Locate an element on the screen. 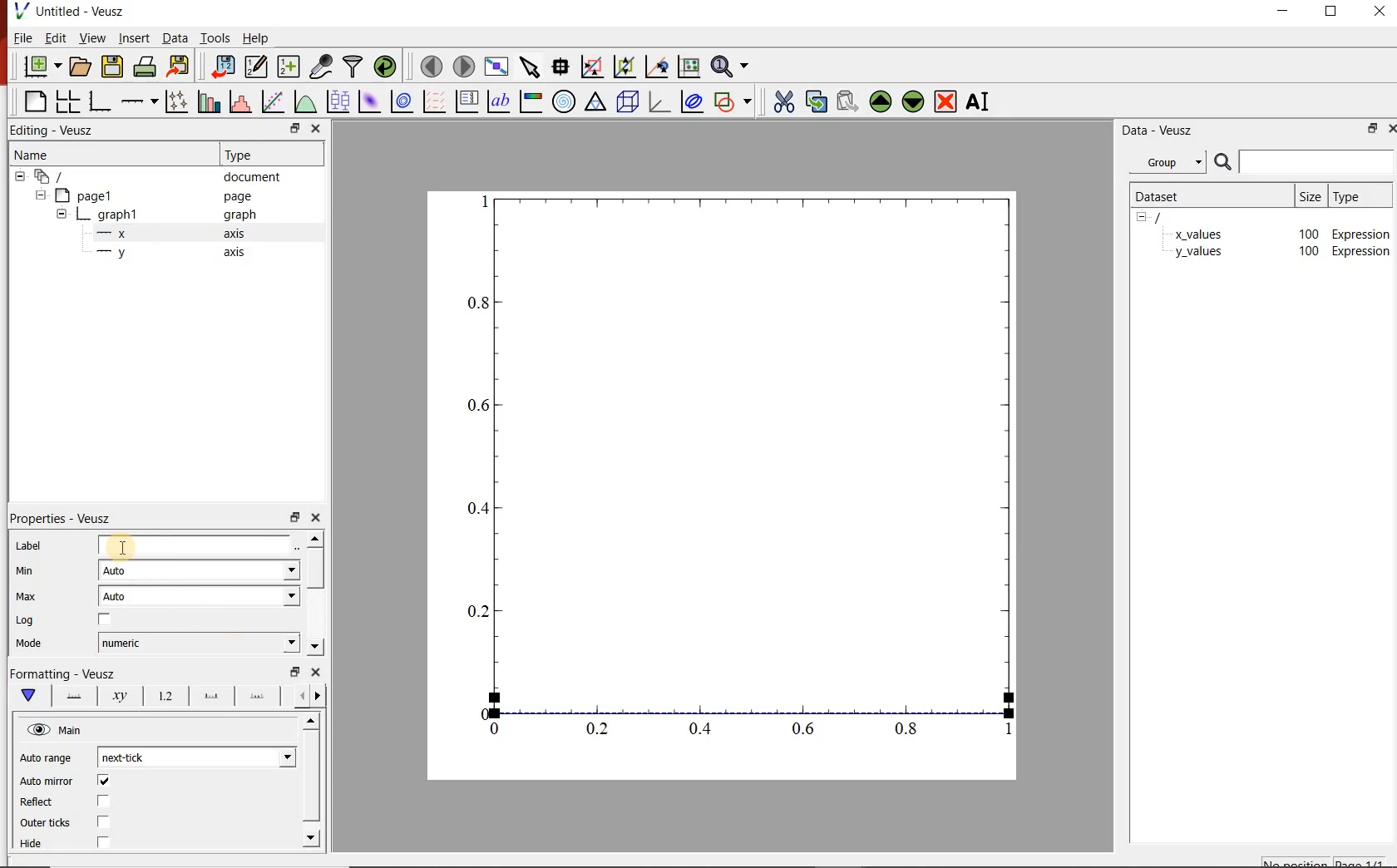 The image size is (1397, 868). insert is located at coordinates (134, 37).